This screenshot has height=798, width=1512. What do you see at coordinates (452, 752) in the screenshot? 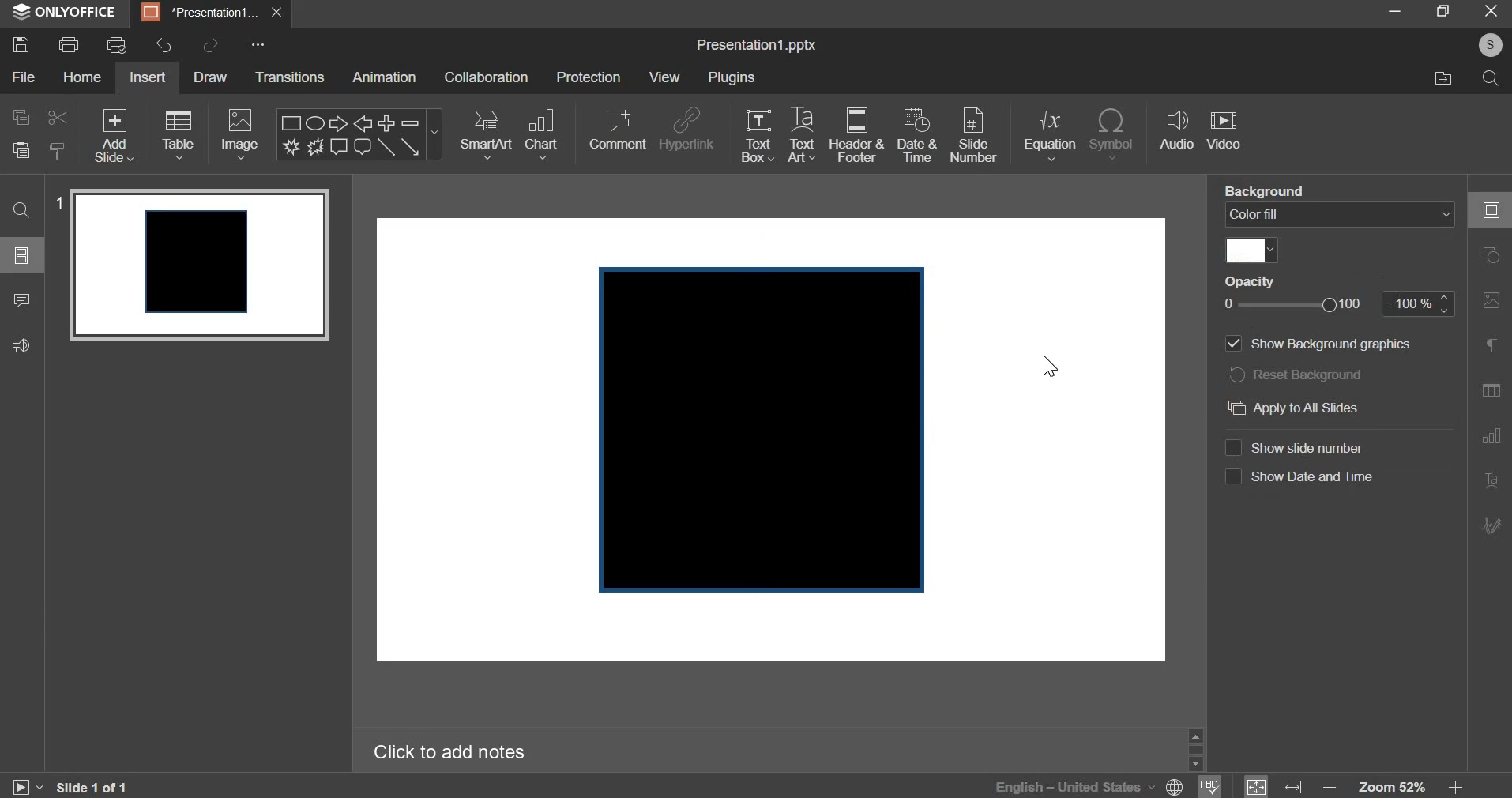
I see `Click to add notes` at bounding box center [452, 752].